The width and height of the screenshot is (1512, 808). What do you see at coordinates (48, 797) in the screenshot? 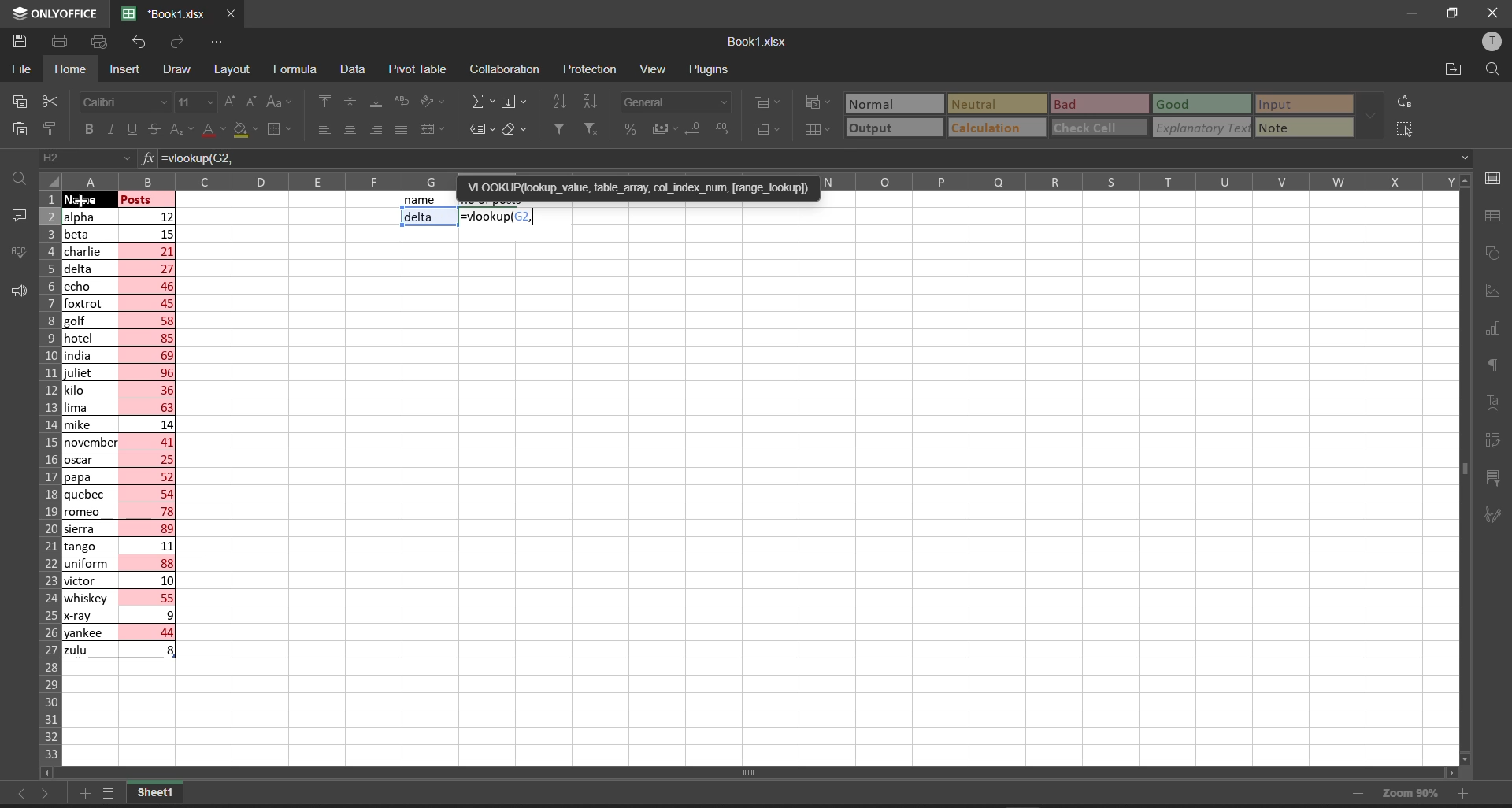
I see `move to the sheet right to current sheet` at bounding box center [48, 797].